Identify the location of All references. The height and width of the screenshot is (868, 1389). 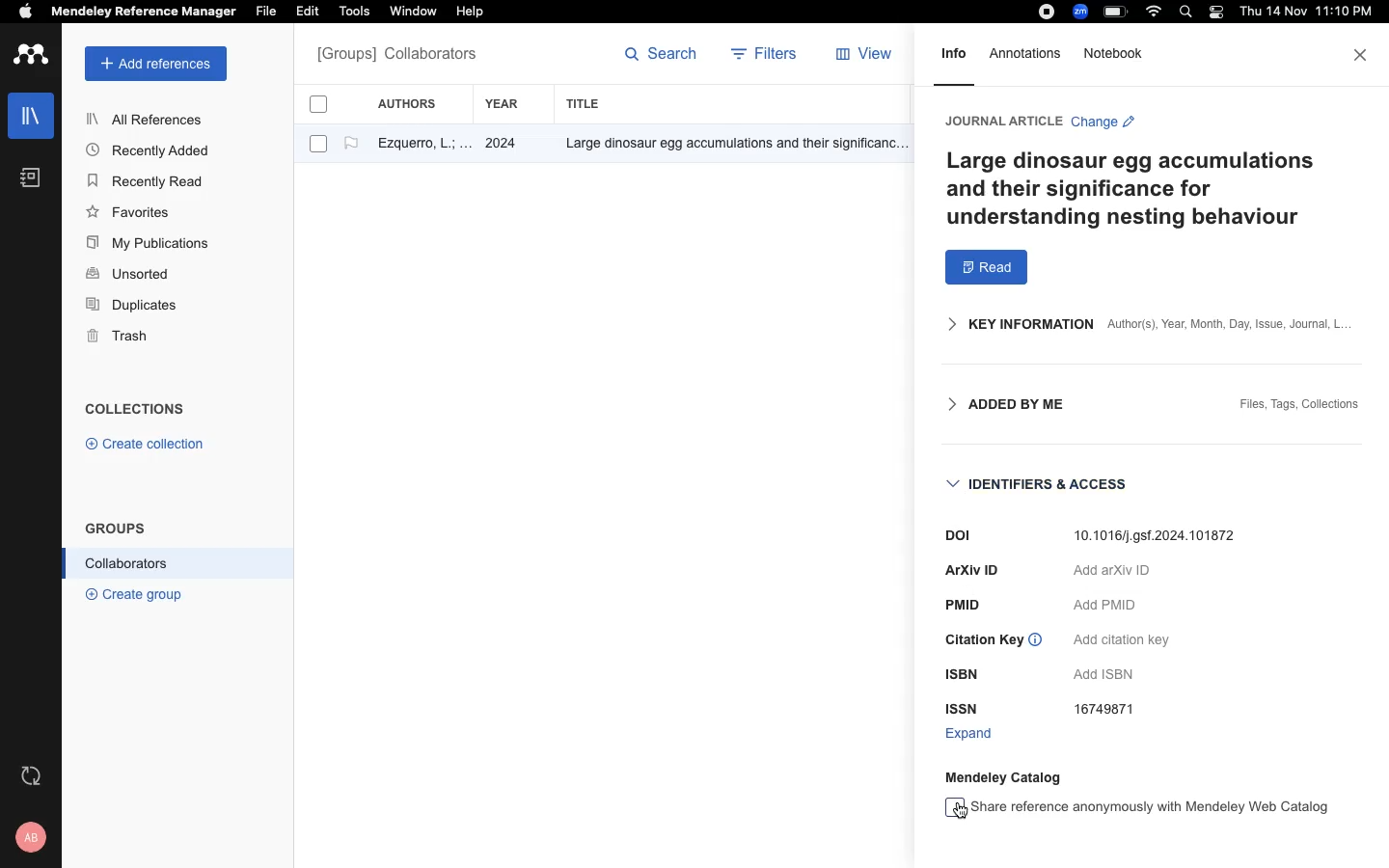
(396, 56).